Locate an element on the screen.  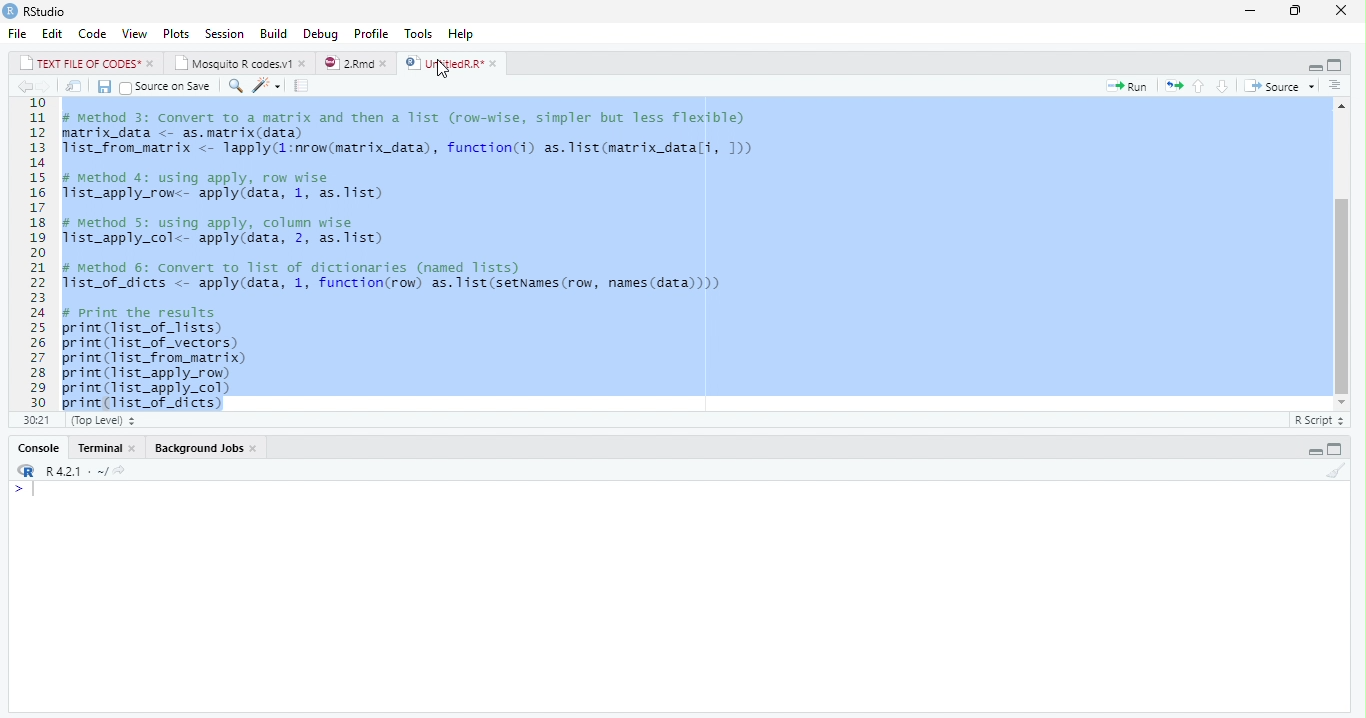
File is located at coordinates (20, 33).